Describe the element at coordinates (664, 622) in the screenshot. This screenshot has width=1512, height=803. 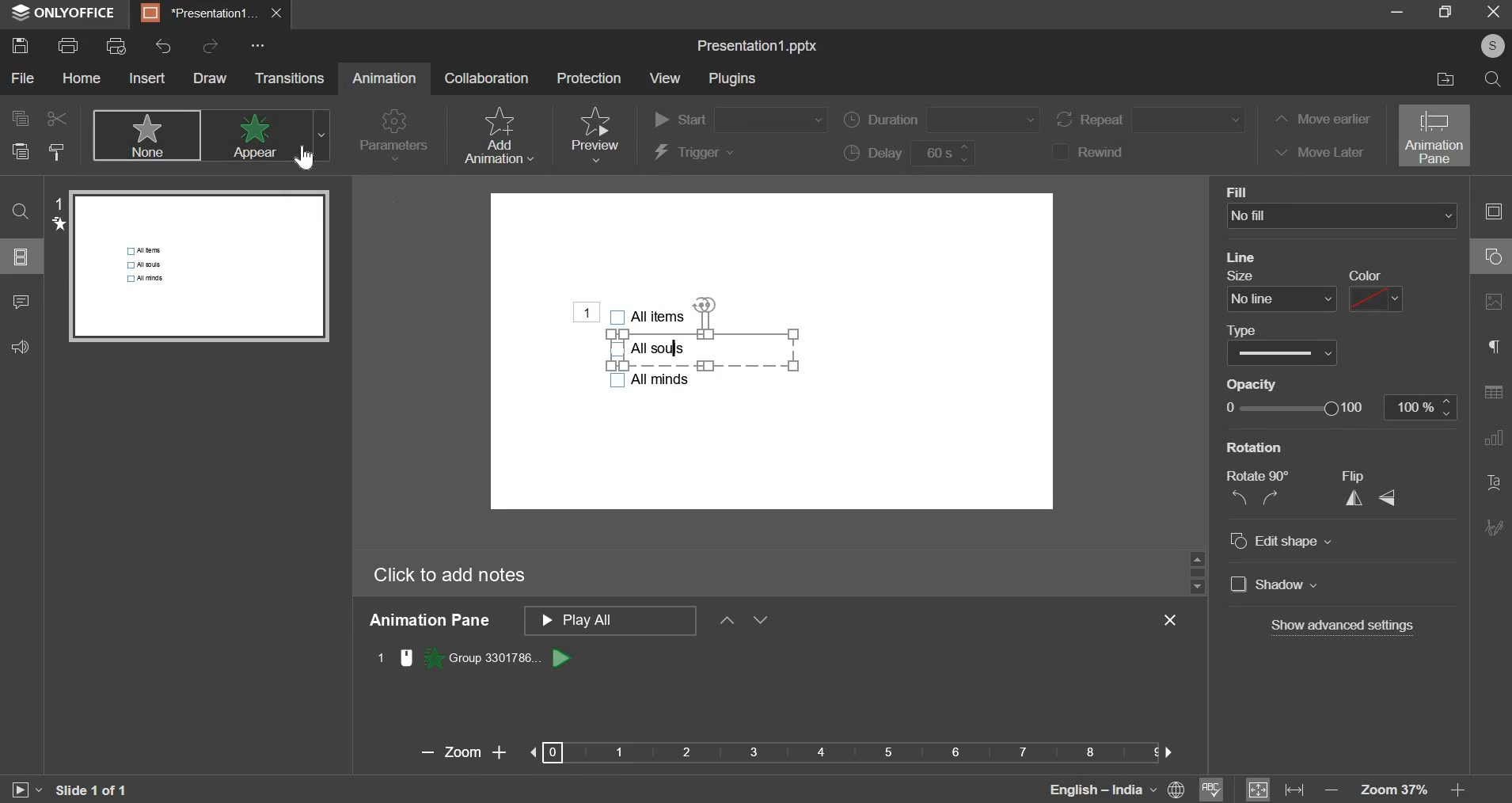
I see `animation pane` at that location.